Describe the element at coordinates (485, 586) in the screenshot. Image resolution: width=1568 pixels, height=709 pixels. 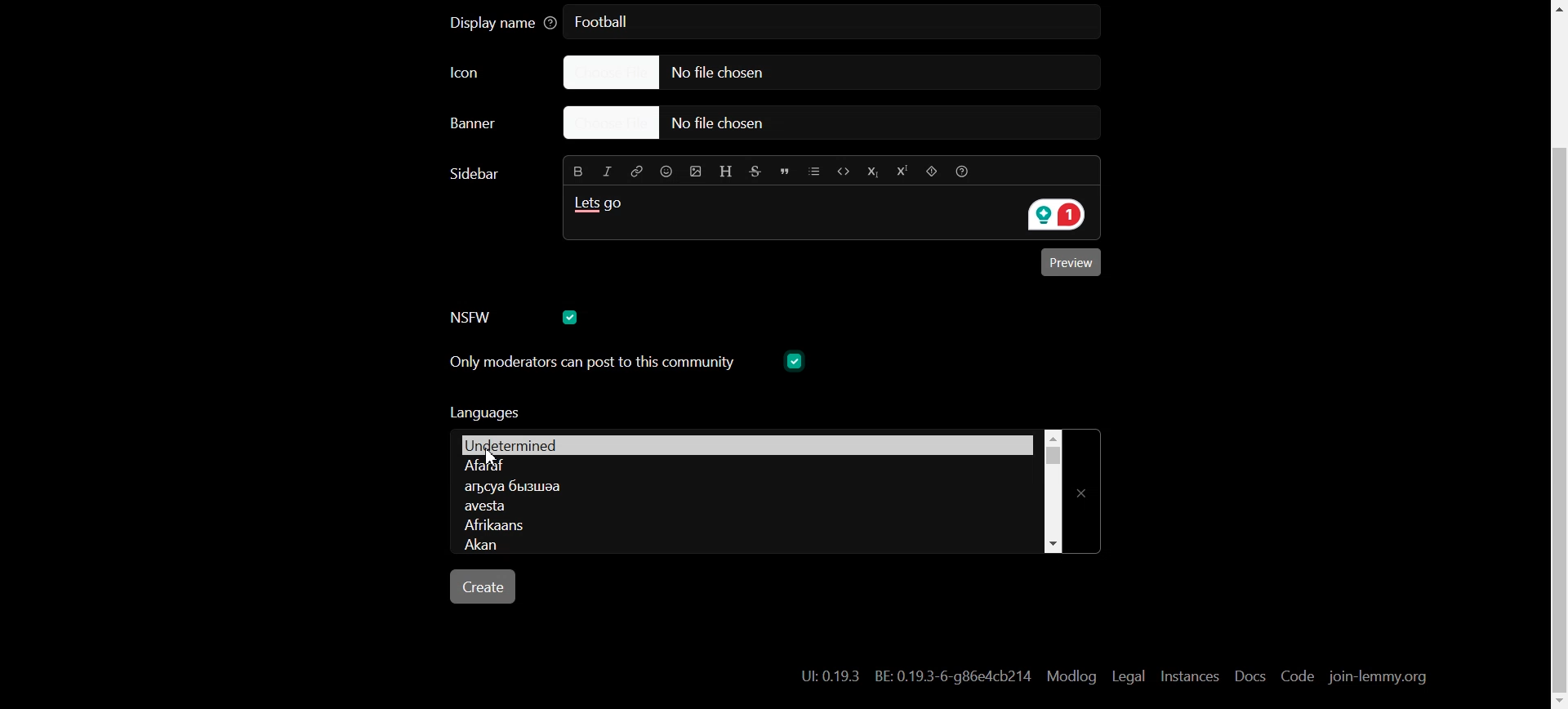
I see `Create` at that location.